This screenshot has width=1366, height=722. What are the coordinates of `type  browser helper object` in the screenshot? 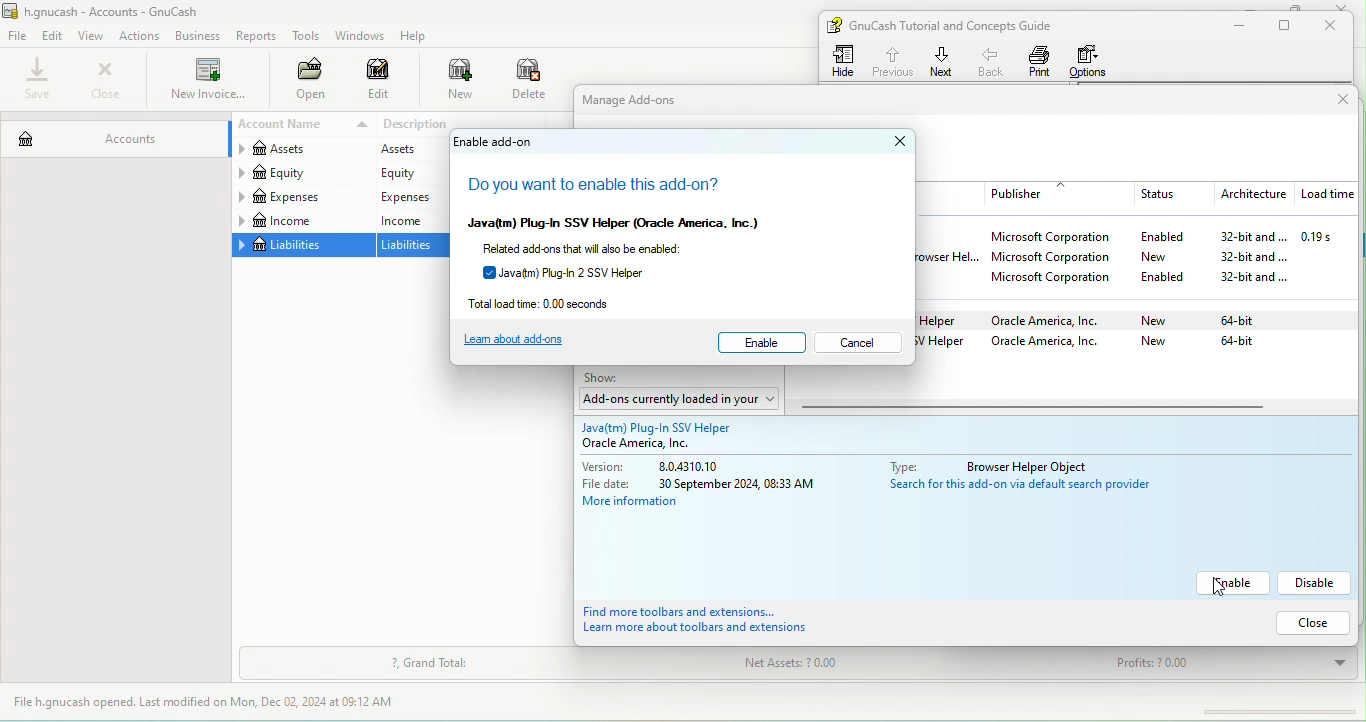 It's located at (1002, 464).